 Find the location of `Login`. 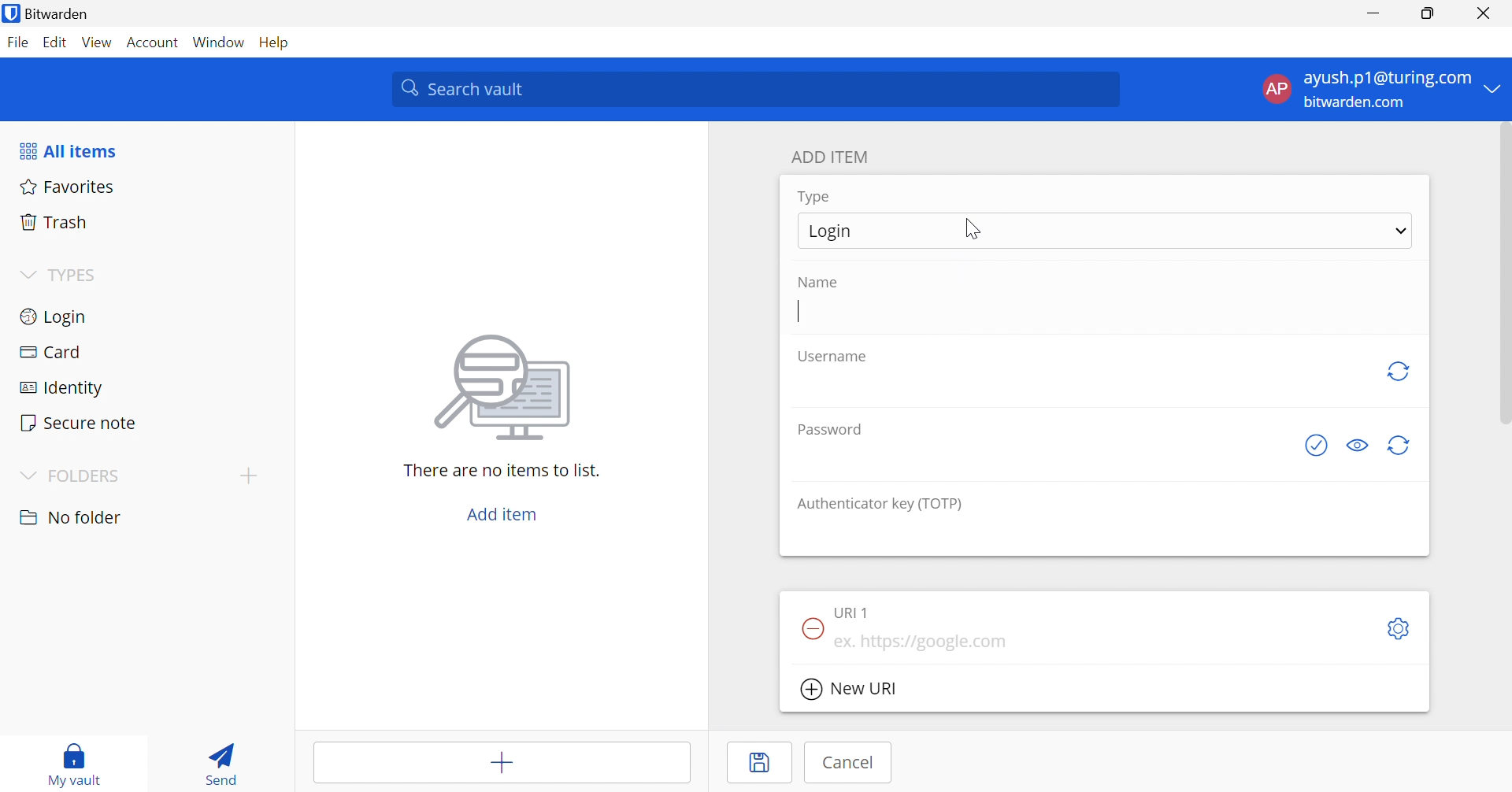

Login is located at coordinates (143, 316).